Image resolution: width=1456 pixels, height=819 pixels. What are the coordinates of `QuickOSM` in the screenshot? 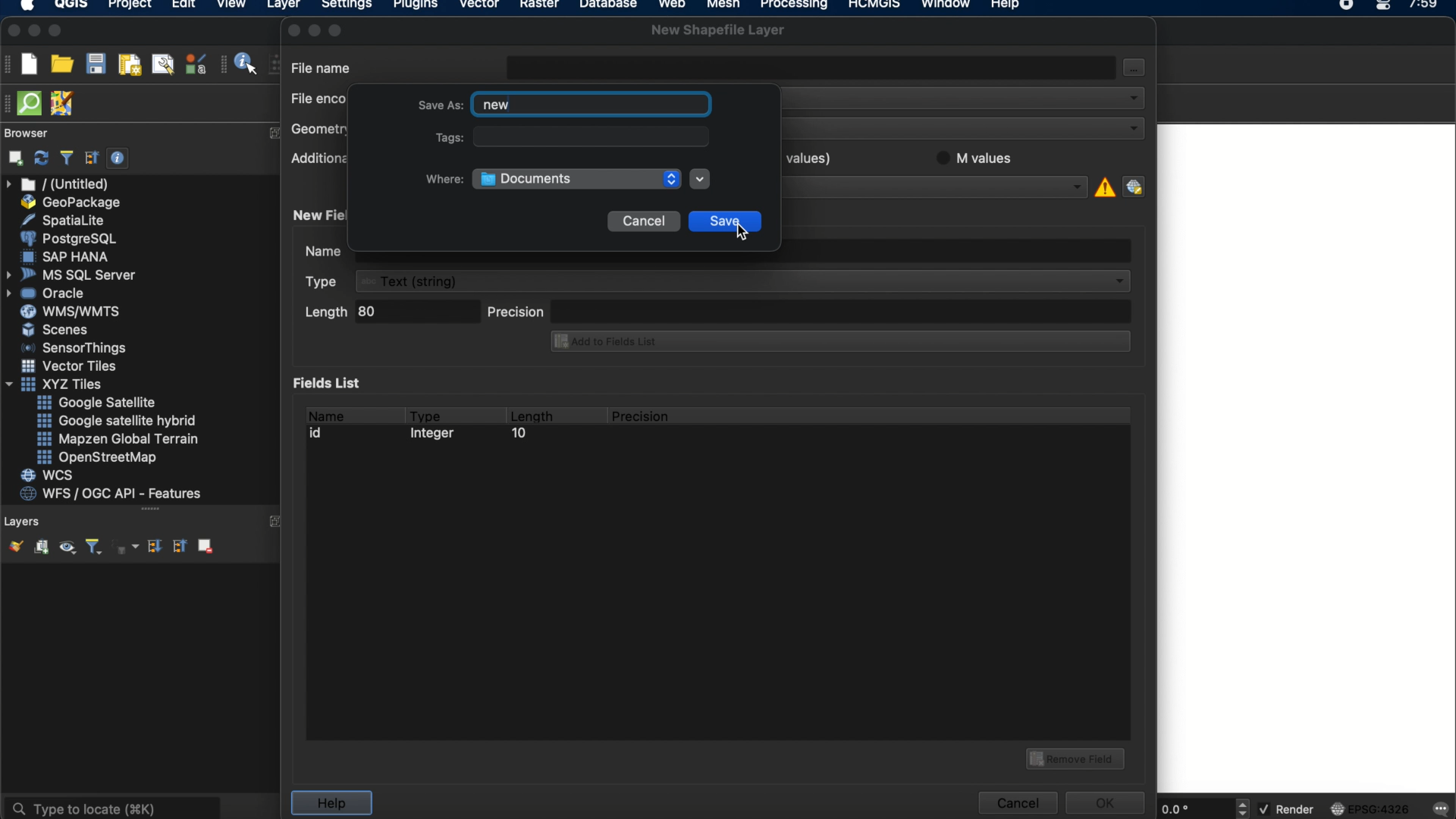 It's located at (33, 103).